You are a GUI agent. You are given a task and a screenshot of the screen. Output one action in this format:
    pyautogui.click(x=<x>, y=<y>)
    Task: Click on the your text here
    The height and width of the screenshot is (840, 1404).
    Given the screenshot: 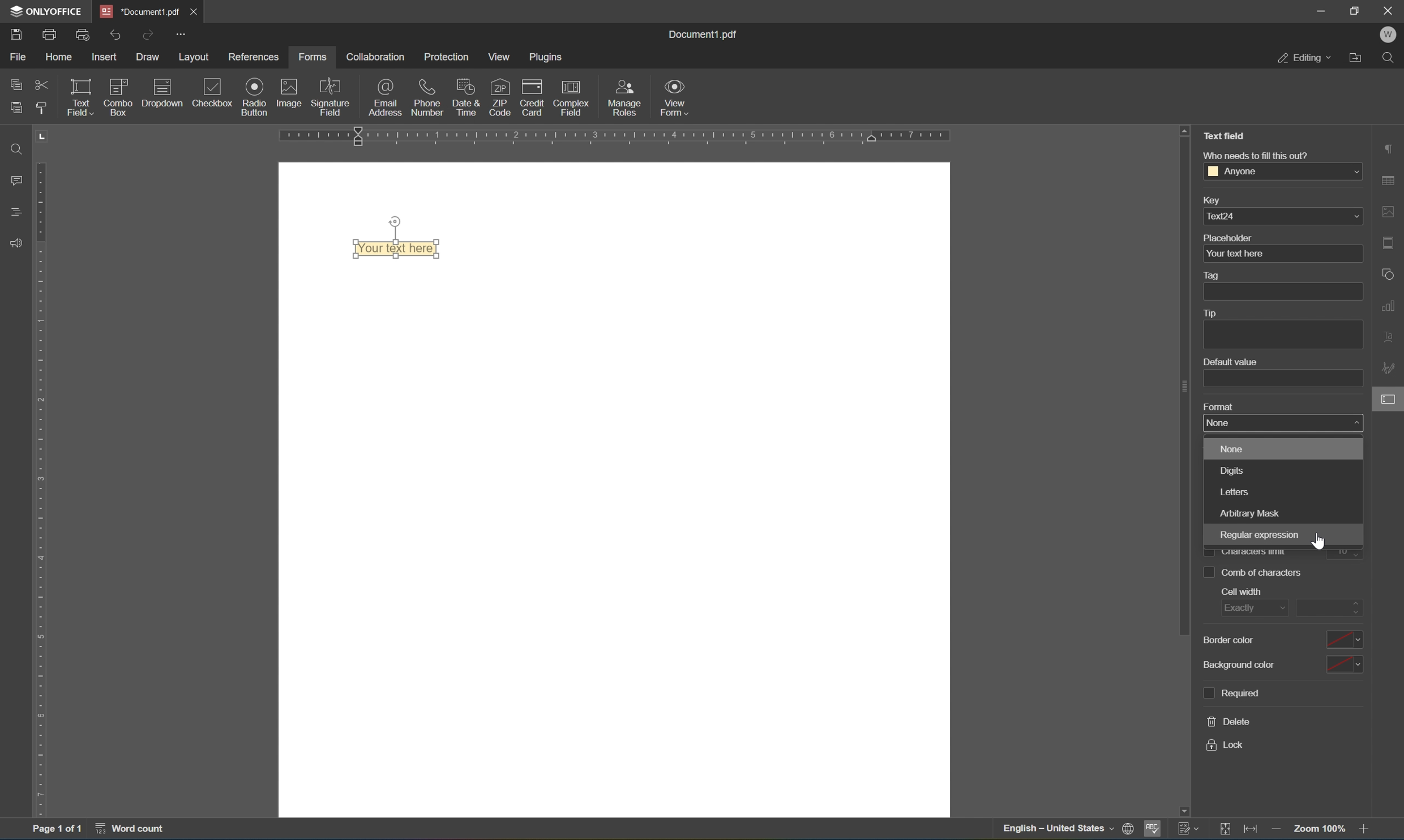 What is the action you would take?
    pyautogui.click(x=1240, y=254)
    